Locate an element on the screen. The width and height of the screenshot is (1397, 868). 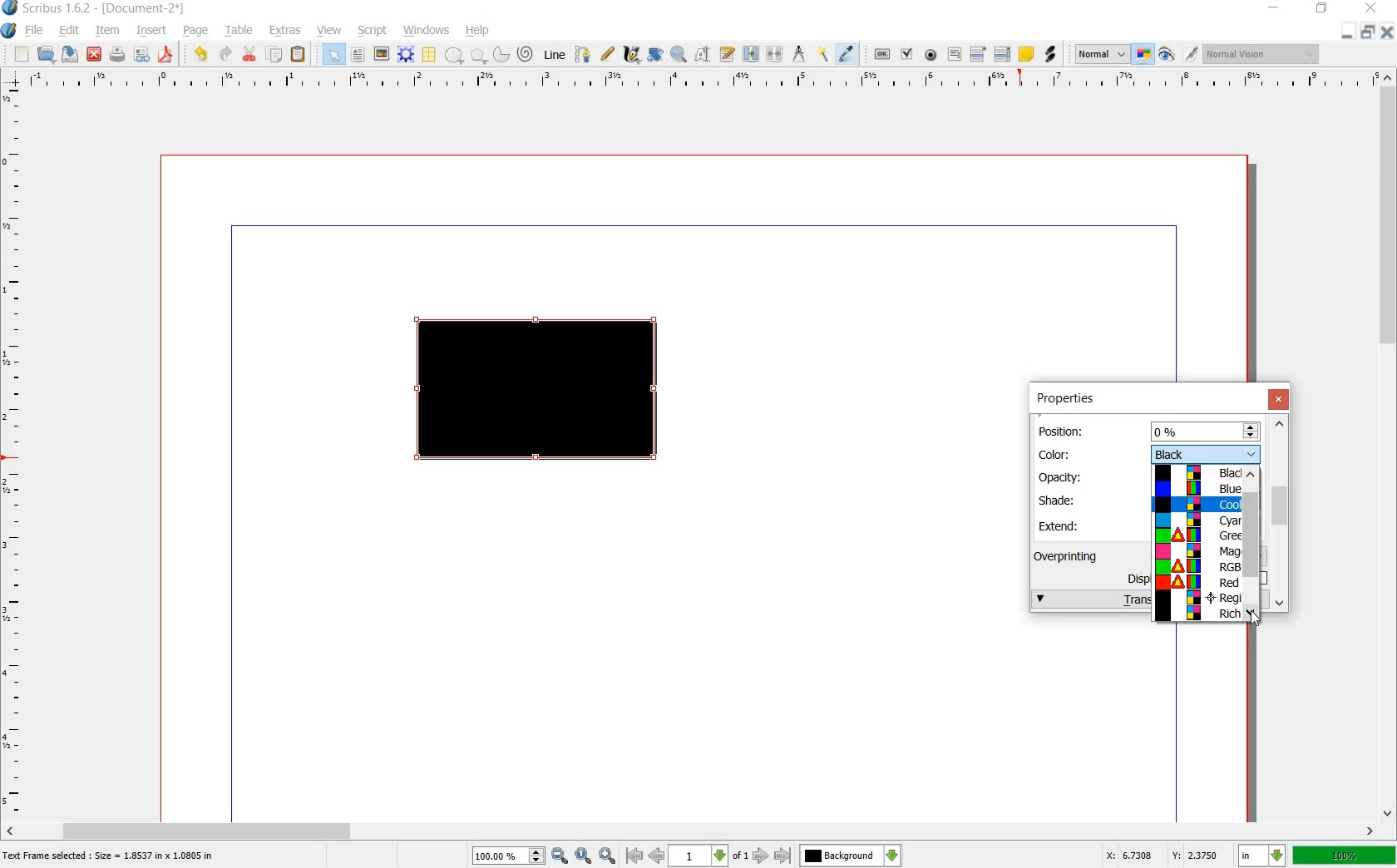
restore is located at coordinates (1367, 33).